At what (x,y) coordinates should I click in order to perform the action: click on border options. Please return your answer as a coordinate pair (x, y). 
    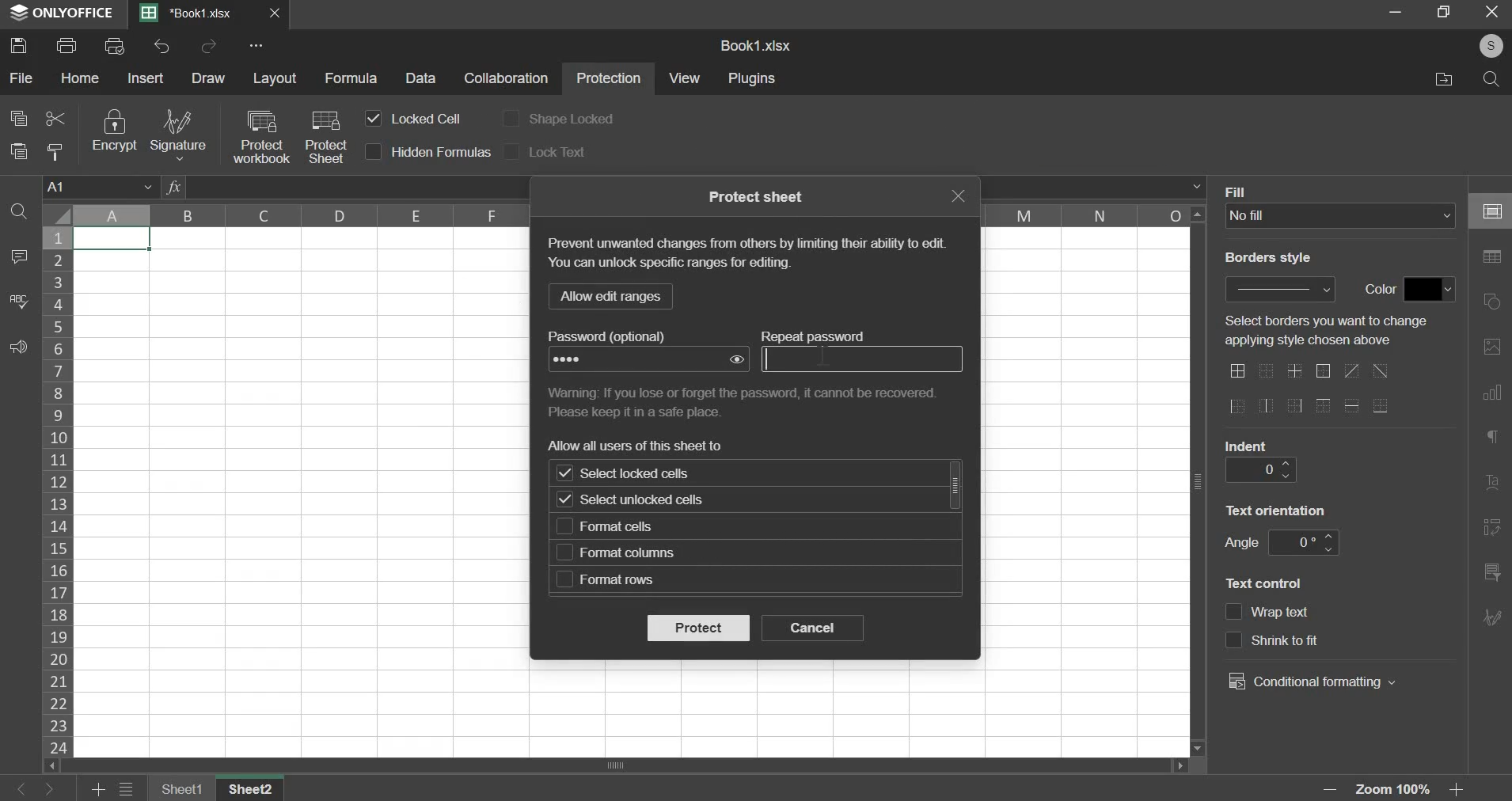
    Looking at the image, I should click on (1293, 408).